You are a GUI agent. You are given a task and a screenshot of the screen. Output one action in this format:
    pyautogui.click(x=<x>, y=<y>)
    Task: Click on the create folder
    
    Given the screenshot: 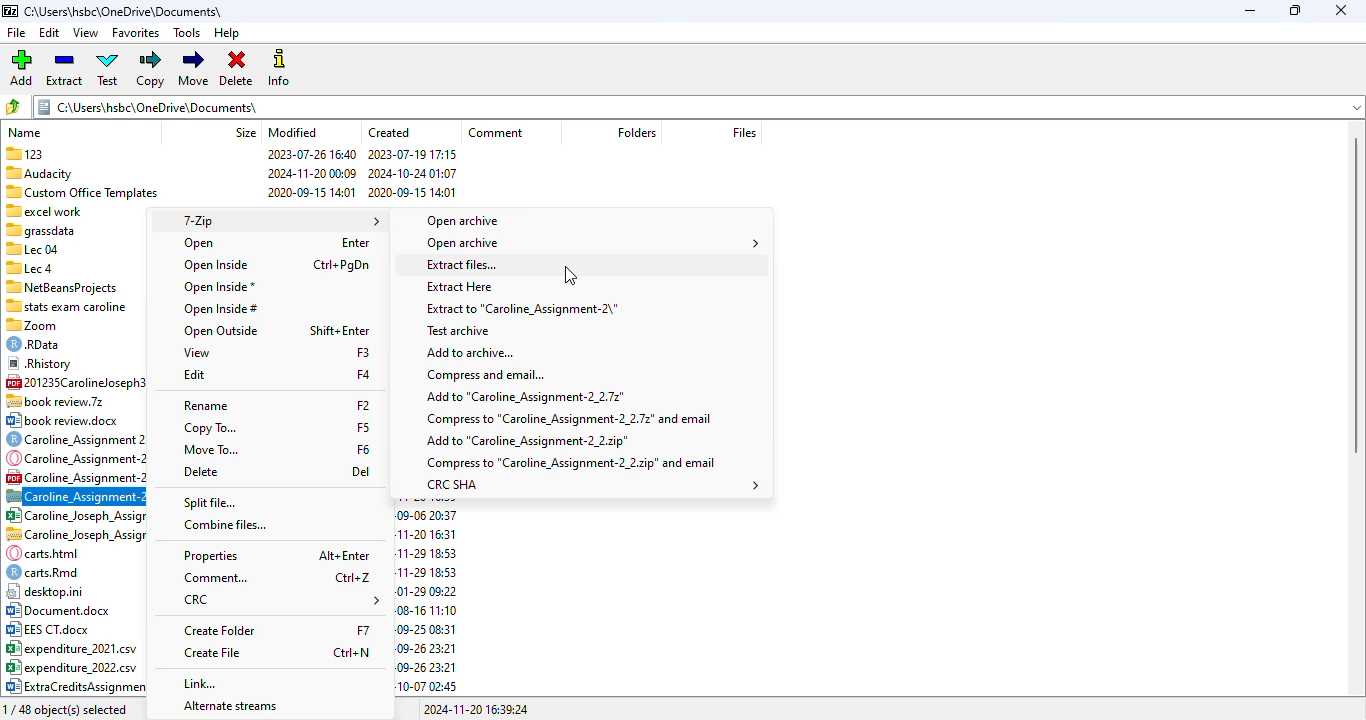 What is the action you would take?
    pyautogui.click(x=219, y=631)
    